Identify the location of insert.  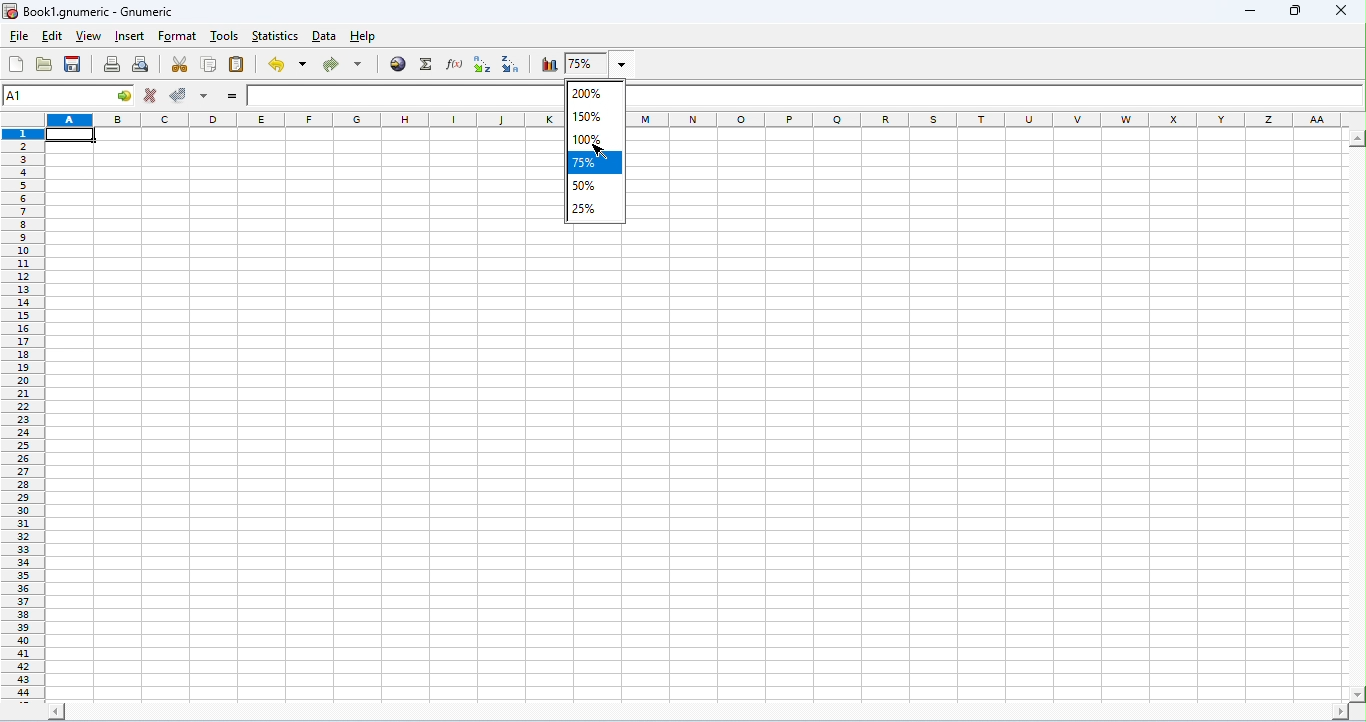
(130, 36).